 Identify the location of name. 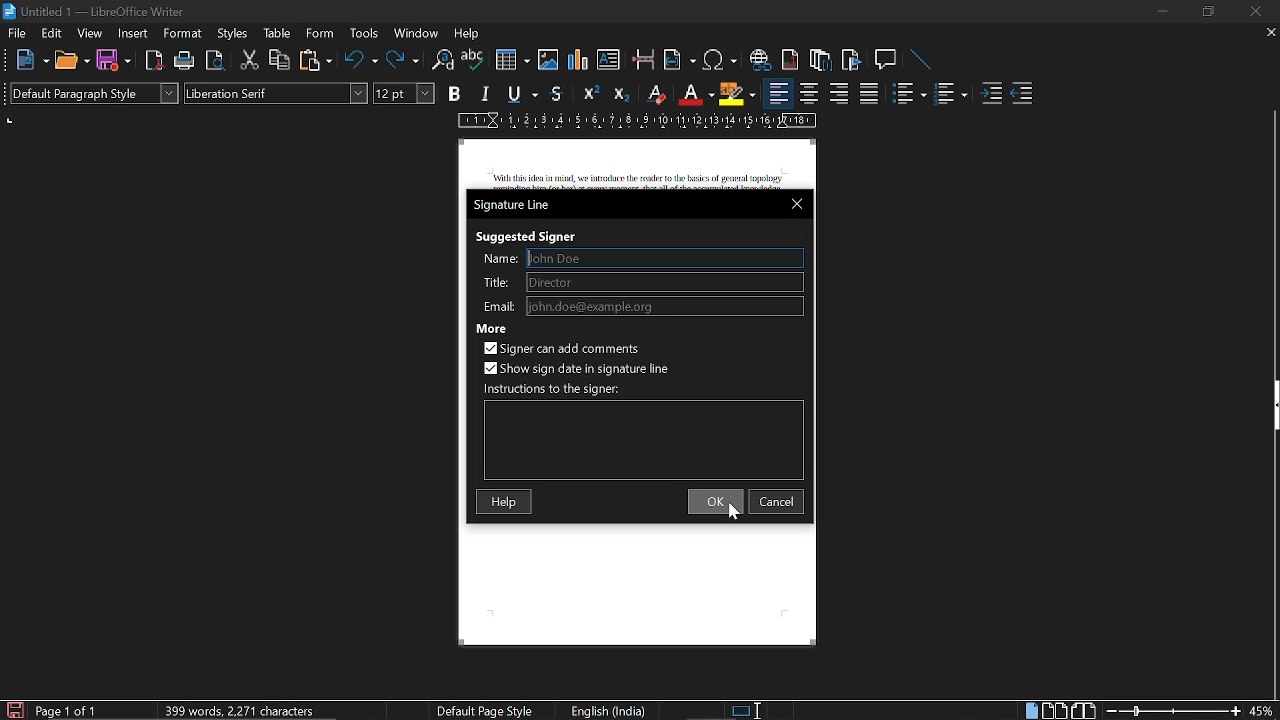
(498, 260).